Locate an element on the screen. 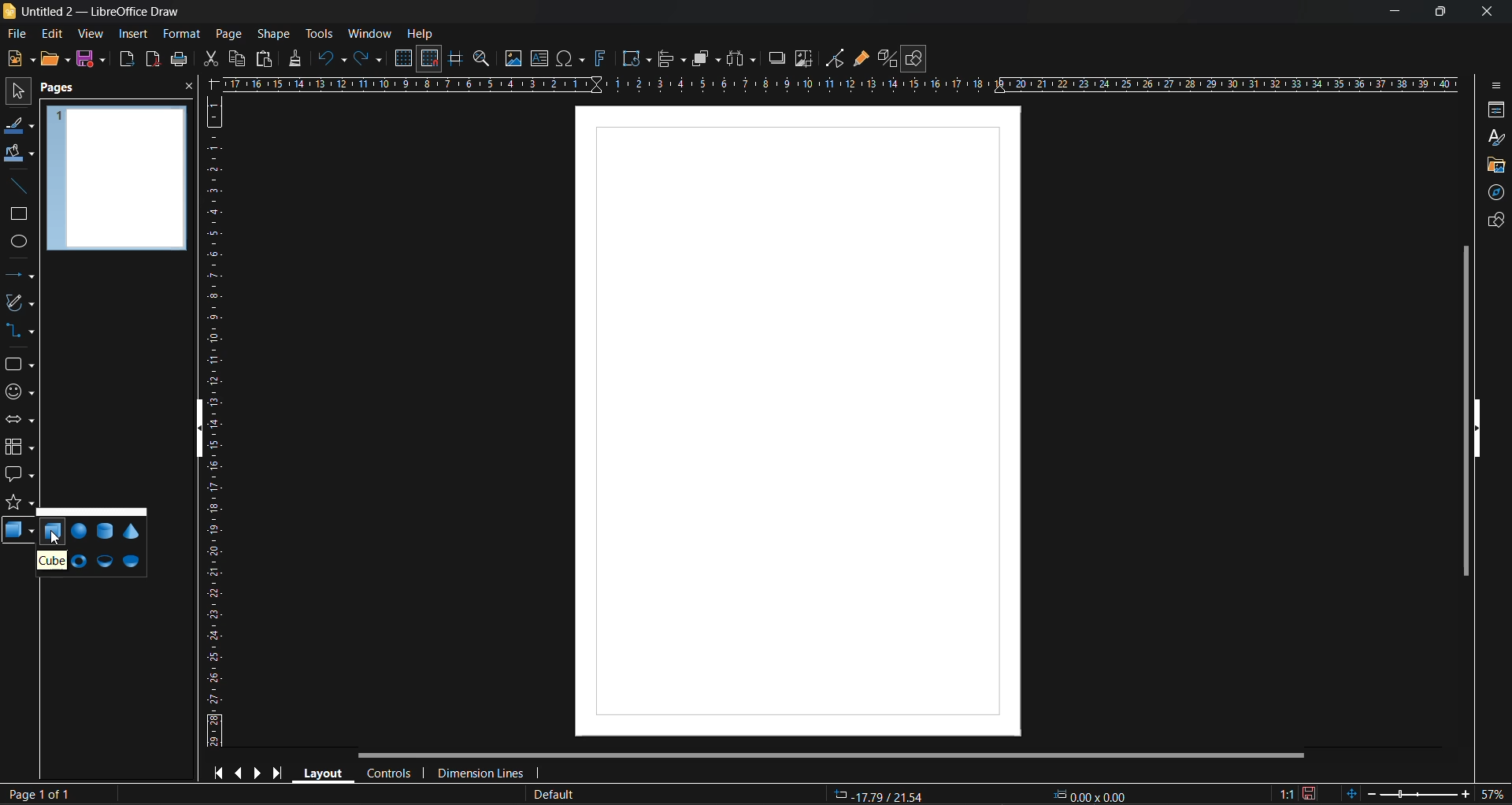  redo is located at coordinates (366, 60).